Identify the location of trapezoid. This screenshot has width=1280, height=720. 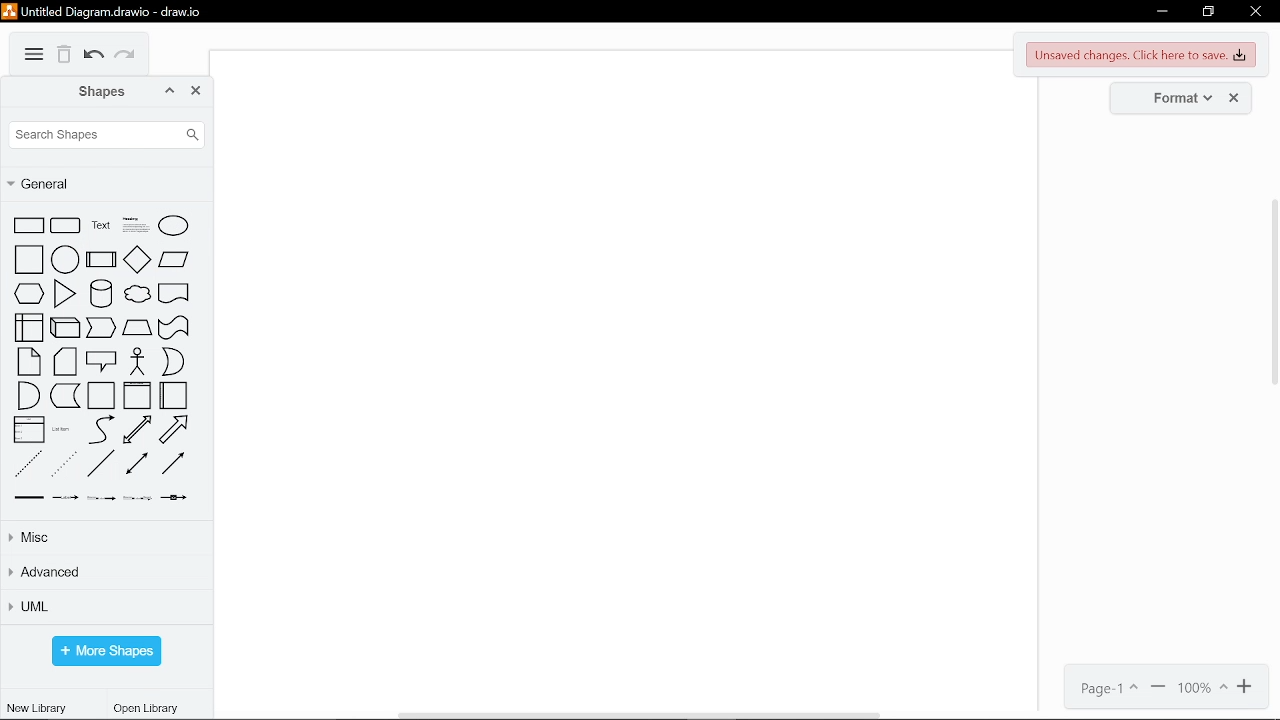
(137, 329).